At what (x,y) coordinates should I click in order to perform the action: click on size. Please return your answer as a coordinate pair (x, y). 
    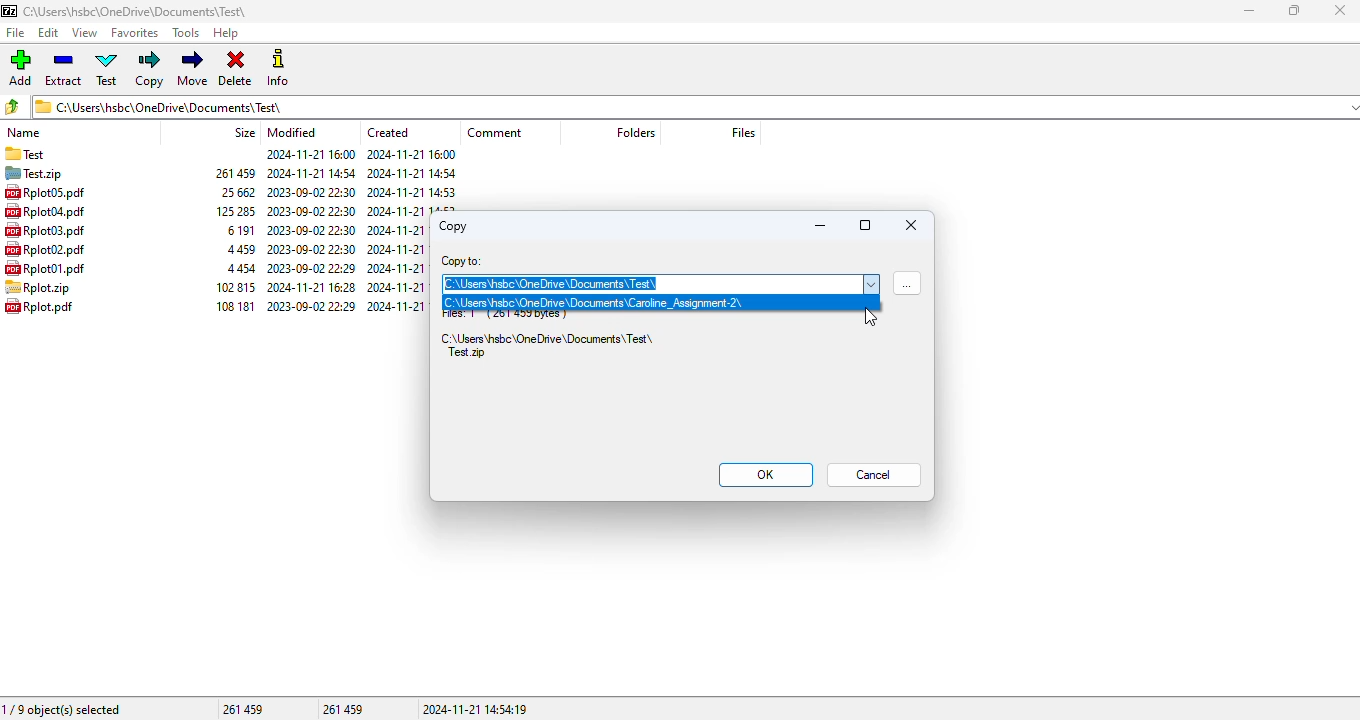
    Looking at the image, I should click on (239, 249).